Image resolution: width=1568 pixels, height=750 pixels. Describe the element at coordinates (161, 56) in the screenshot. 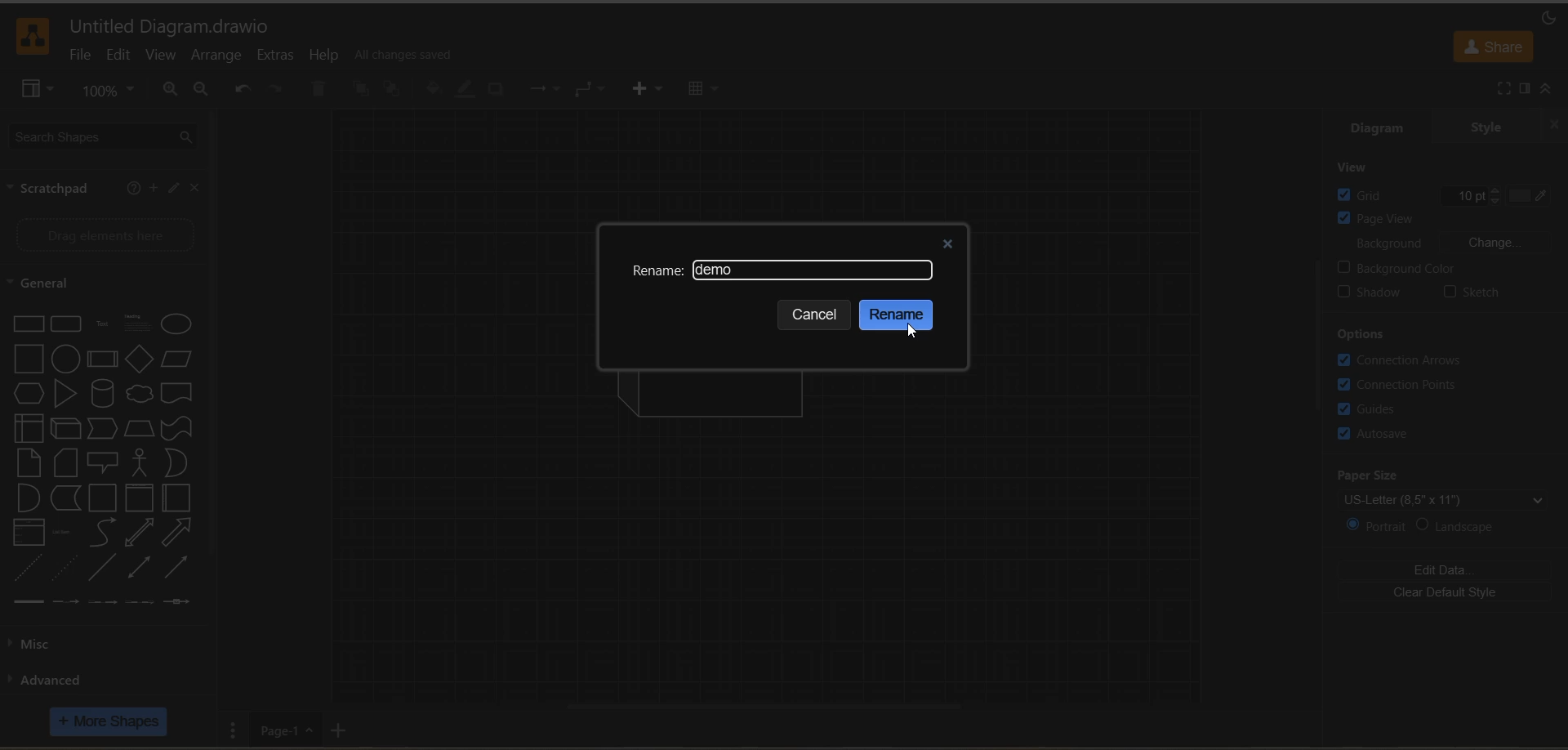

I see `view` at that location.